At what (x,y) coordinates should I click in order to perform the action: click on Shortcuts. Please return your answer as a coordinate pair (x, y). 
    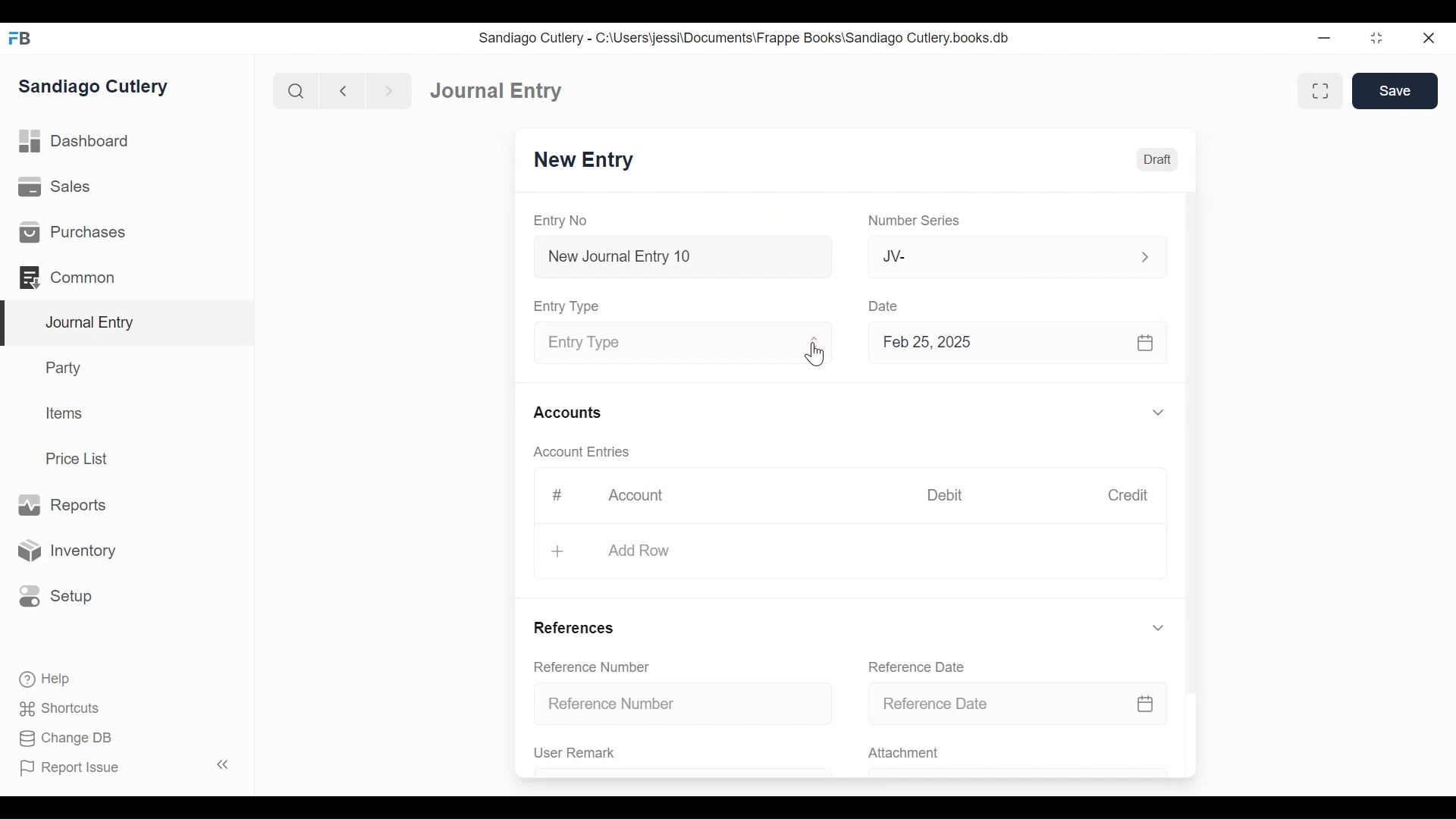
    Looking at the image, I should click on (55, 708).